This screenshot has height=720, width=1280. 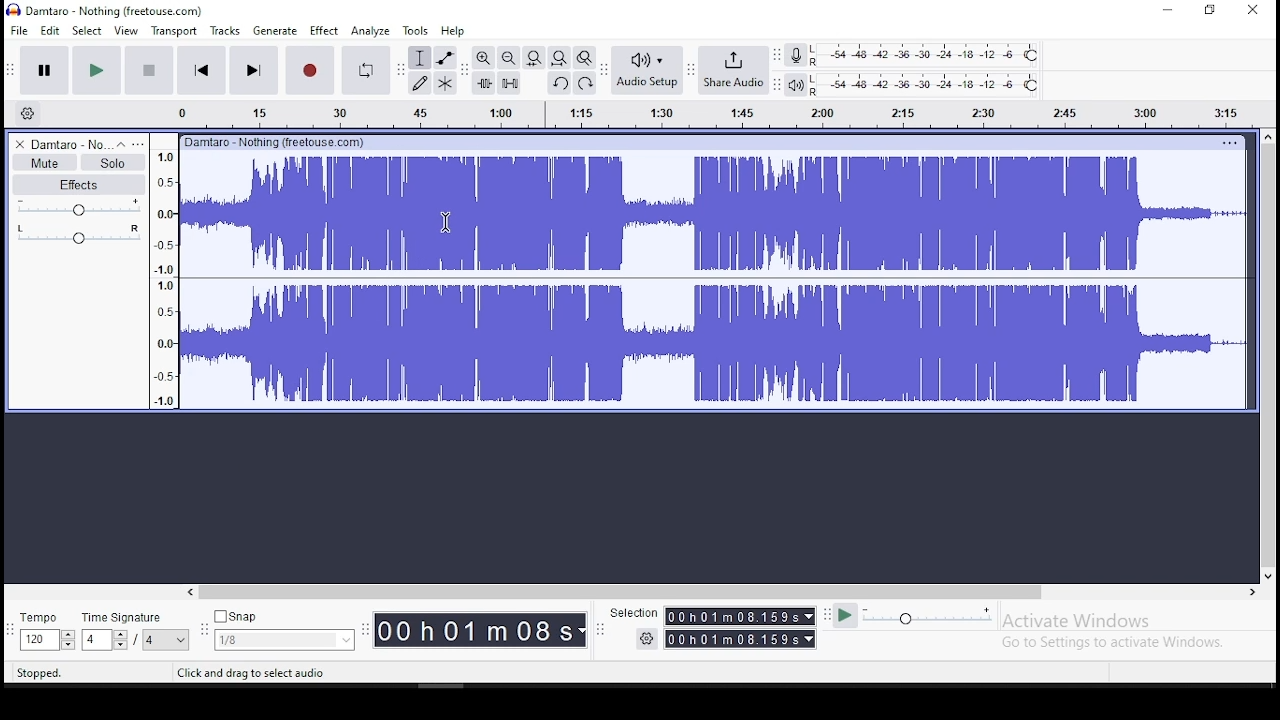 I want to click on Click and drag to select audio, so click(x=251, y=674).